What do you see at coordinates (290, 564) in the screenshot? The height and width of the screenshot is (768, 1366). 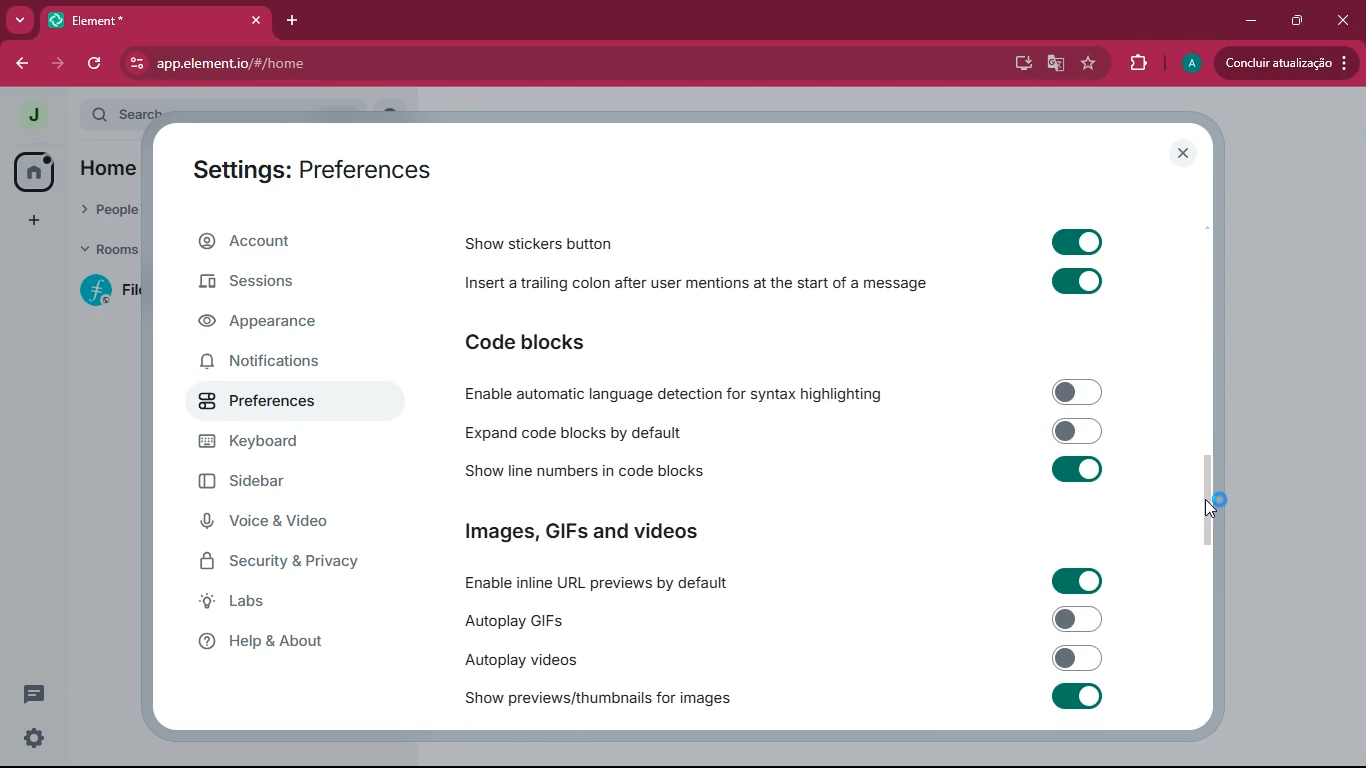 I see `Security & Privacy` at bounding box center [290, 564].